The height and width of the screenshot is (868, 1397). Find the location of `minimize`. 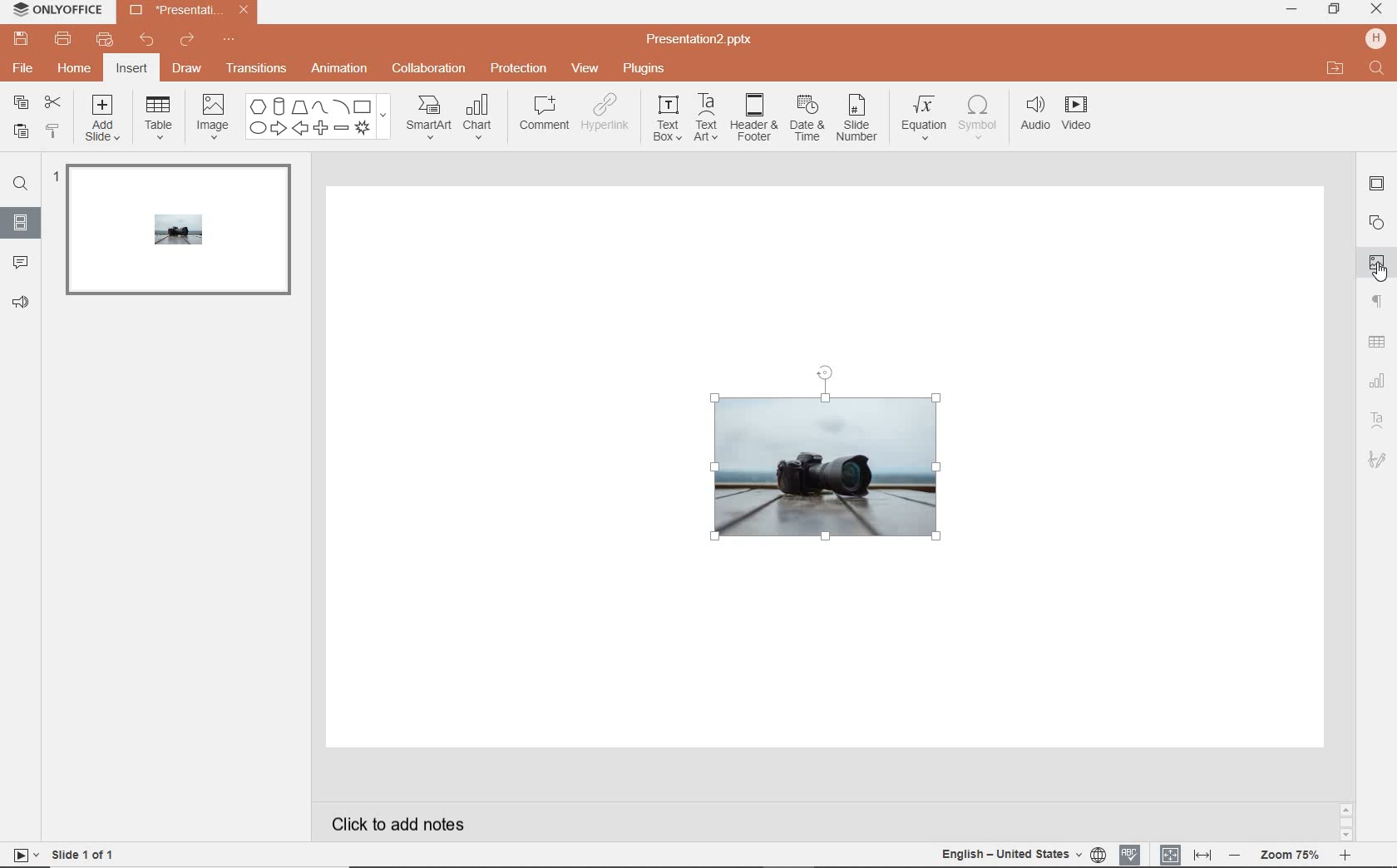

minimize is located at coordinates (1295, 11).